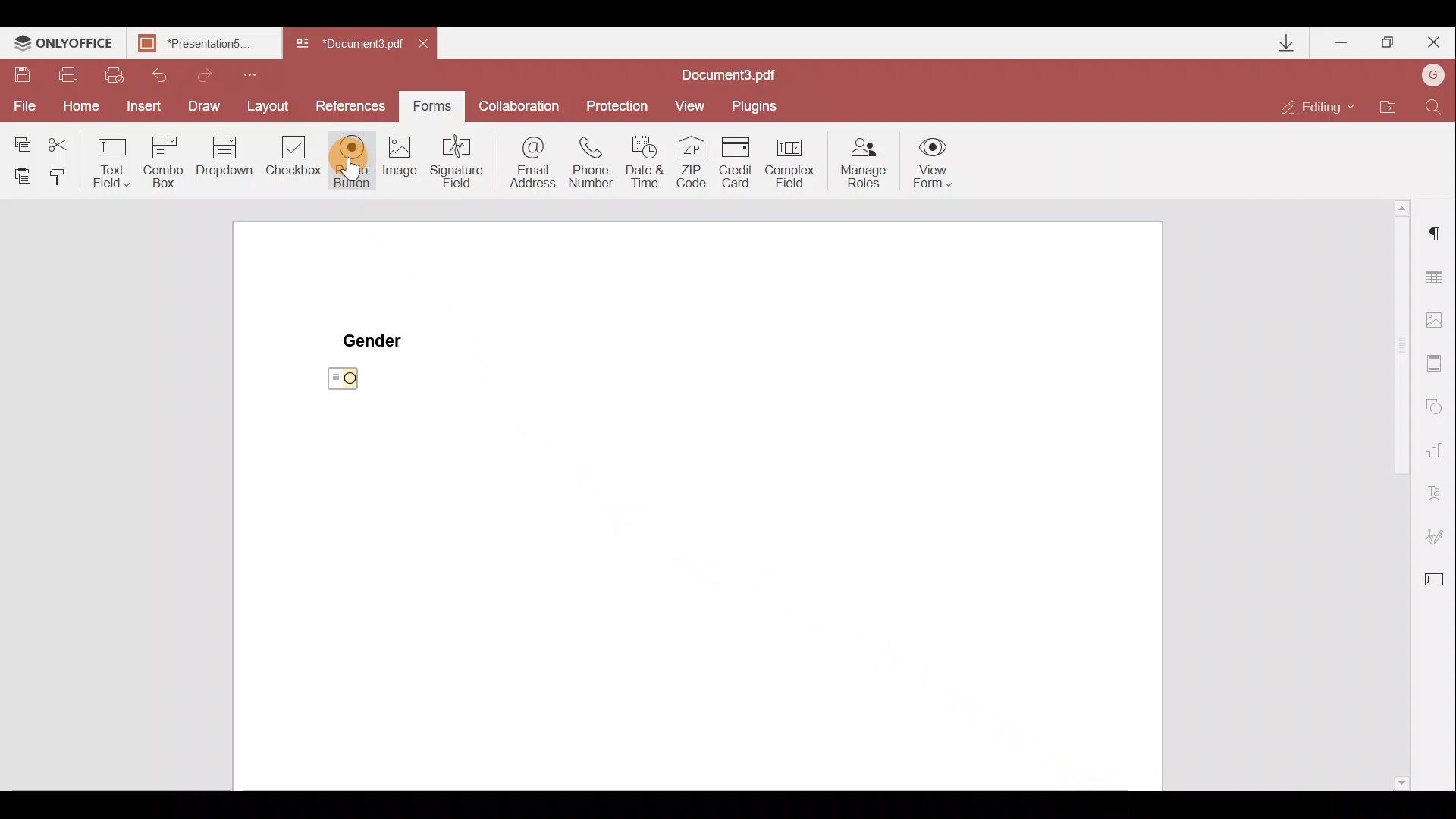 The height and width of the screenshot is (819, 1456). I want to click on Copy style, so click(64, 175).